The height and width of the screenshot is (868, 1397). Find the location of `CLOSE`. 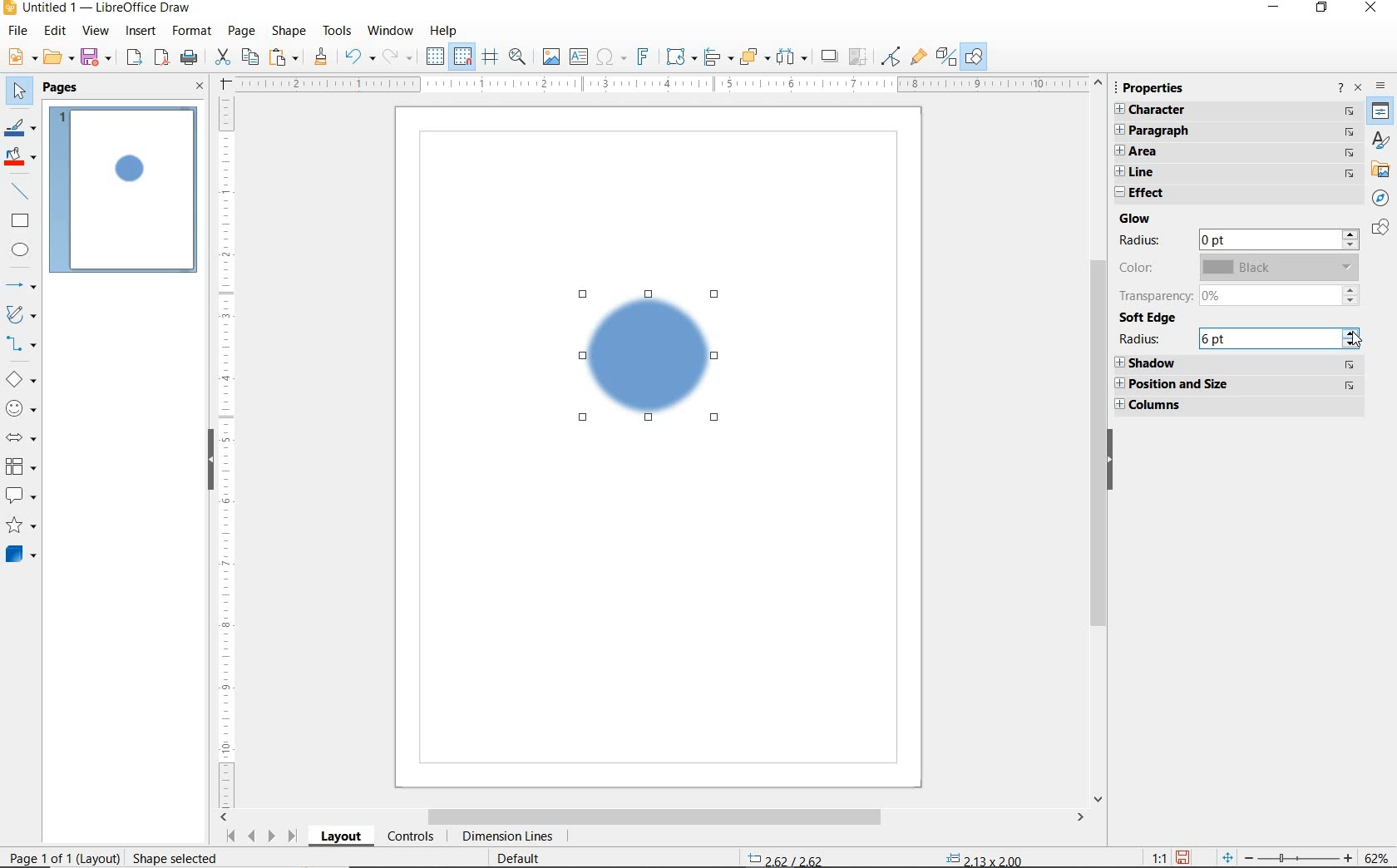

CLOSE is located at coordinates (1371, 10).